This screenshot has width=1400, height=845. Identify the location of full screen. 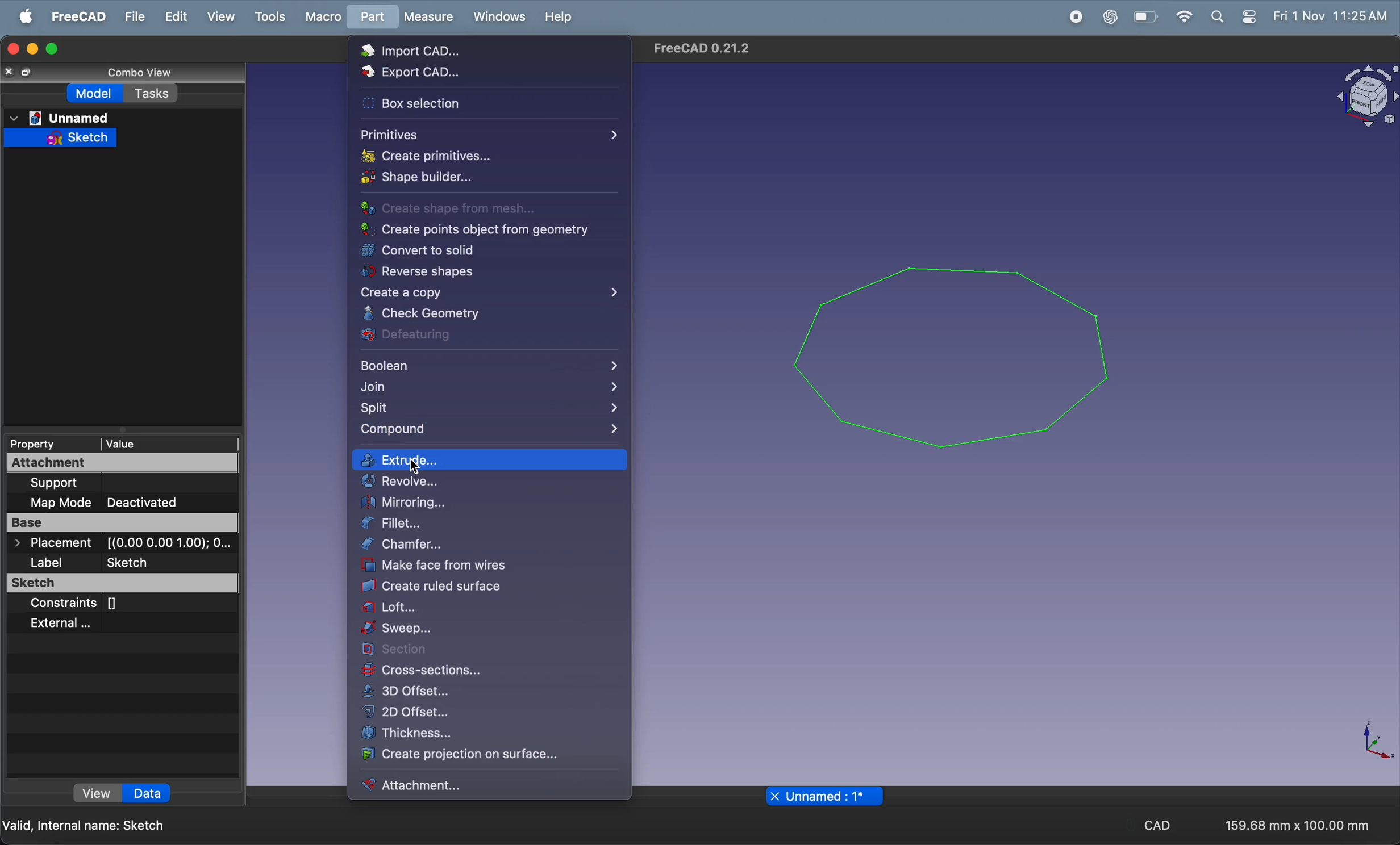
(30, 72).